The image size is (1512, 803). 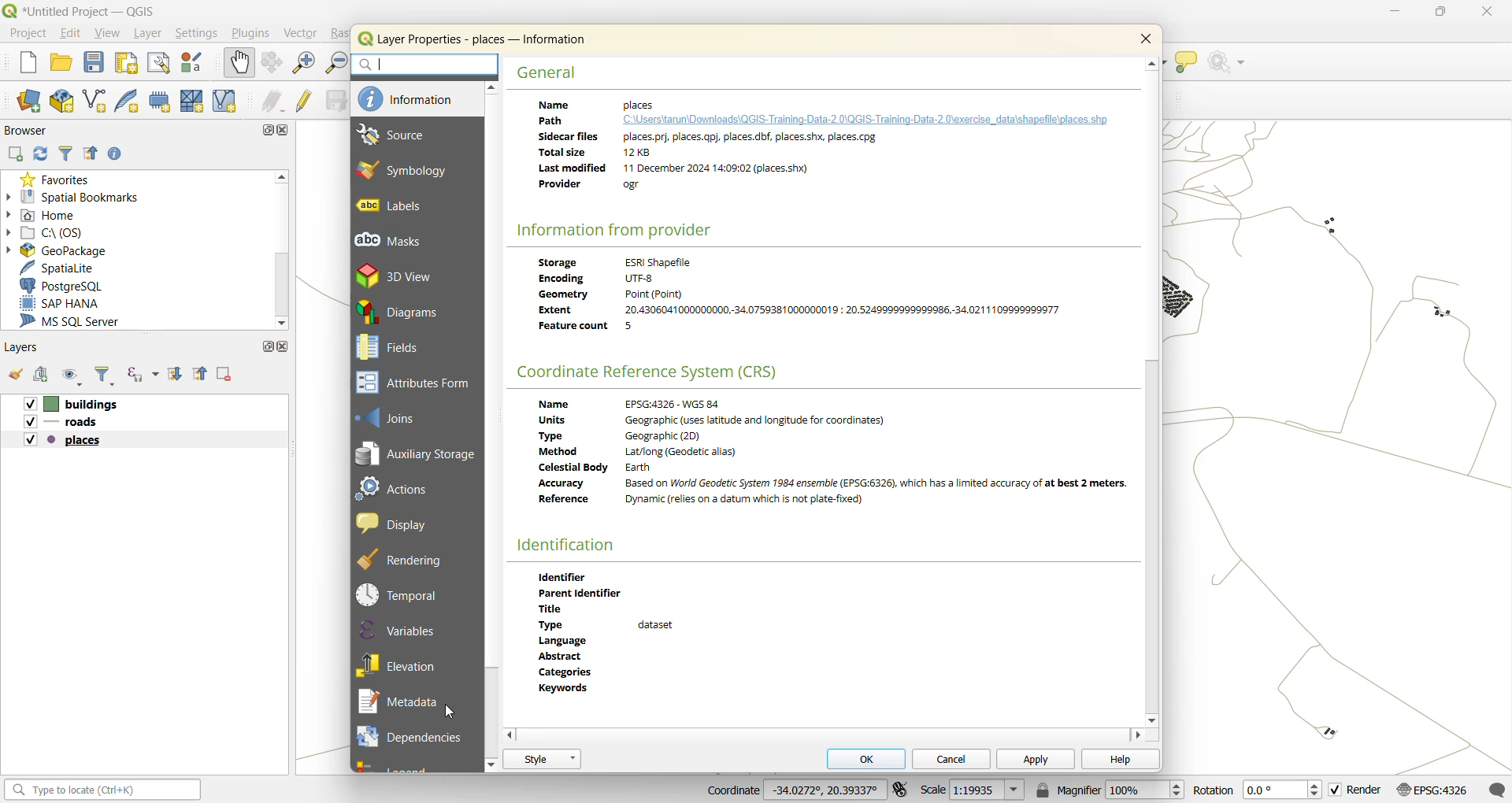 I want to click on new, so click(x=29, y=64).